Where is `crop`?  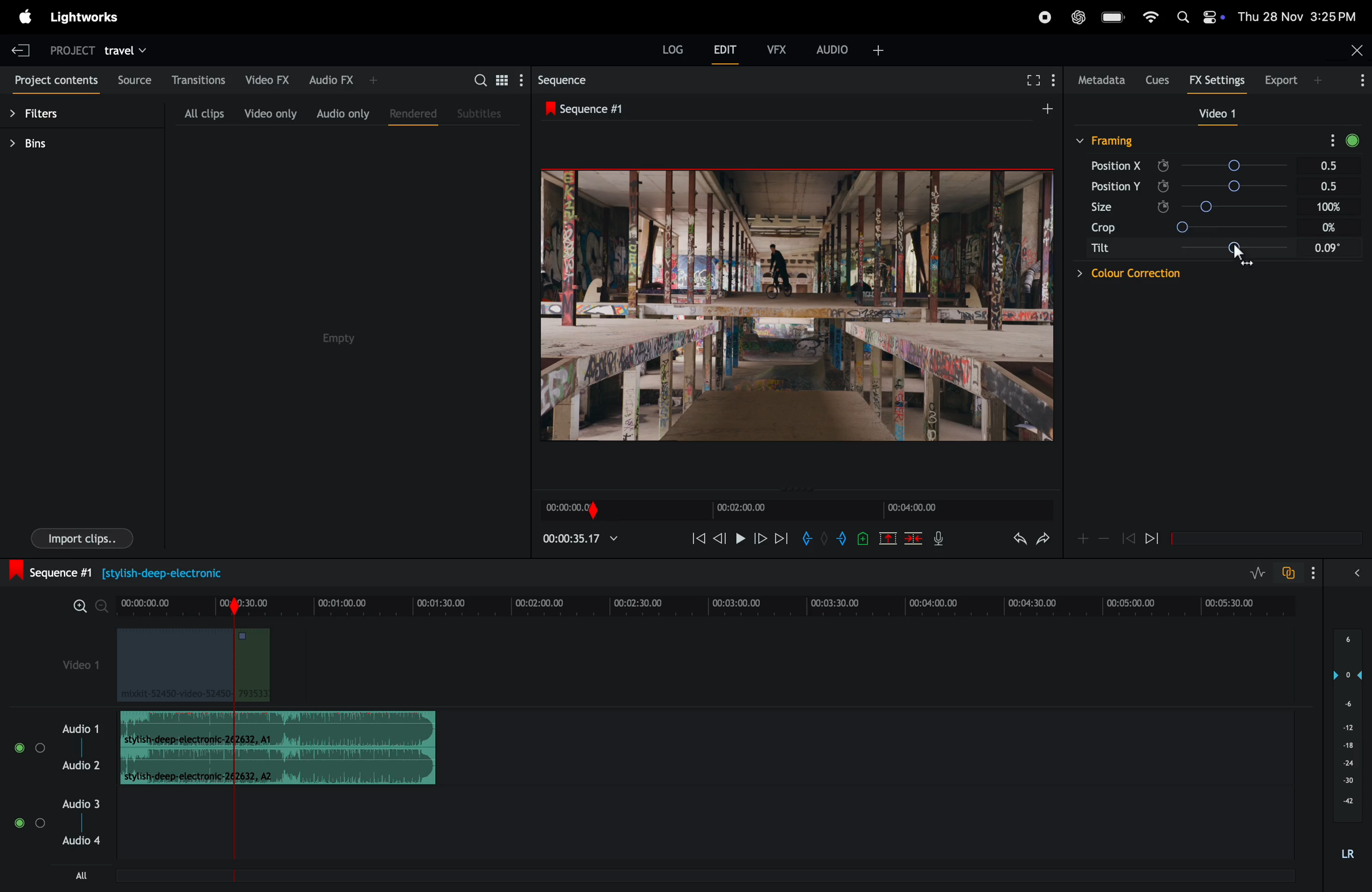
crop is located at coordinates (1104, 230).